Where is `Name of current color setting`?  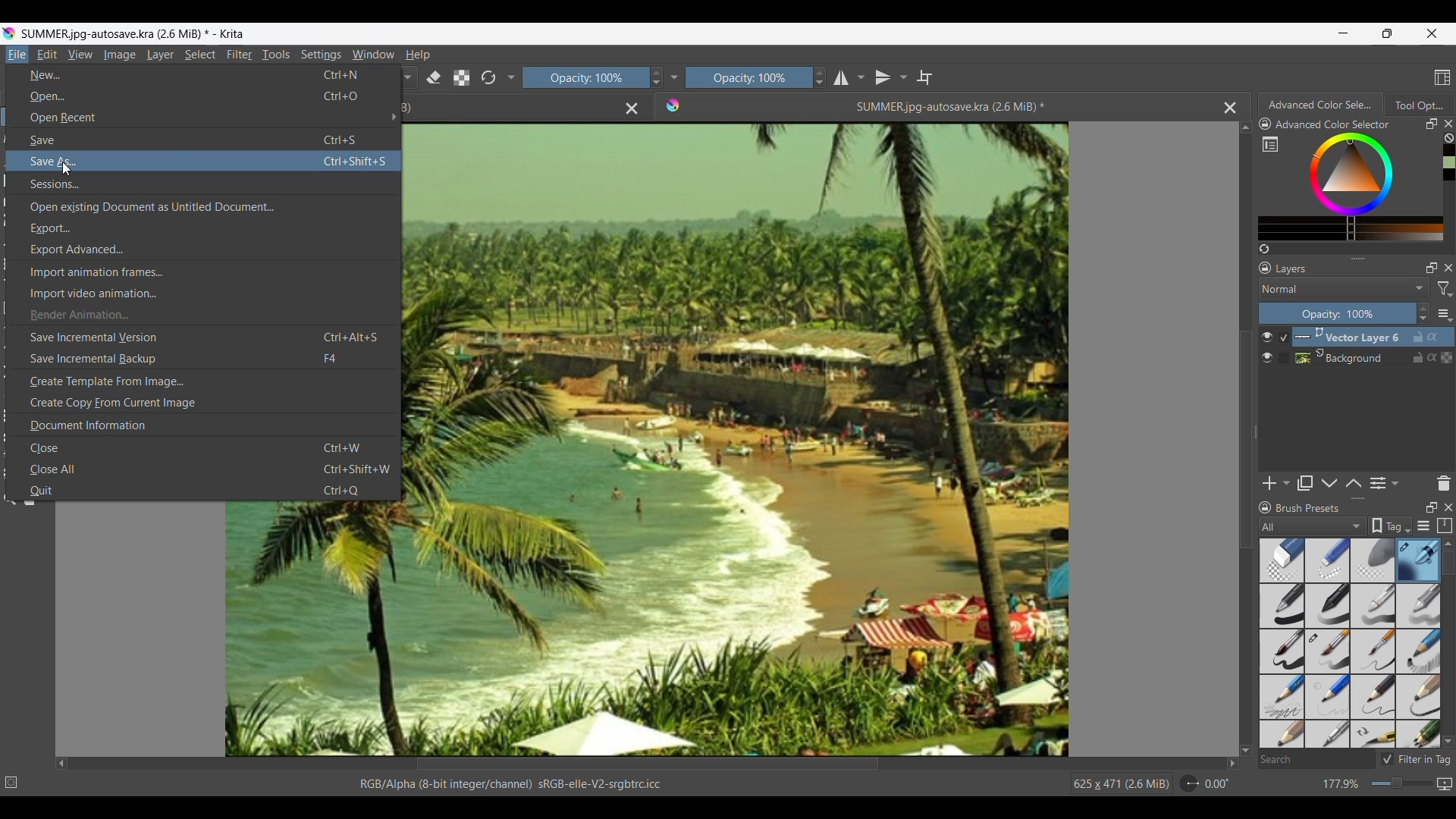
Name of current color setting is located at coordinates (1332, 124).